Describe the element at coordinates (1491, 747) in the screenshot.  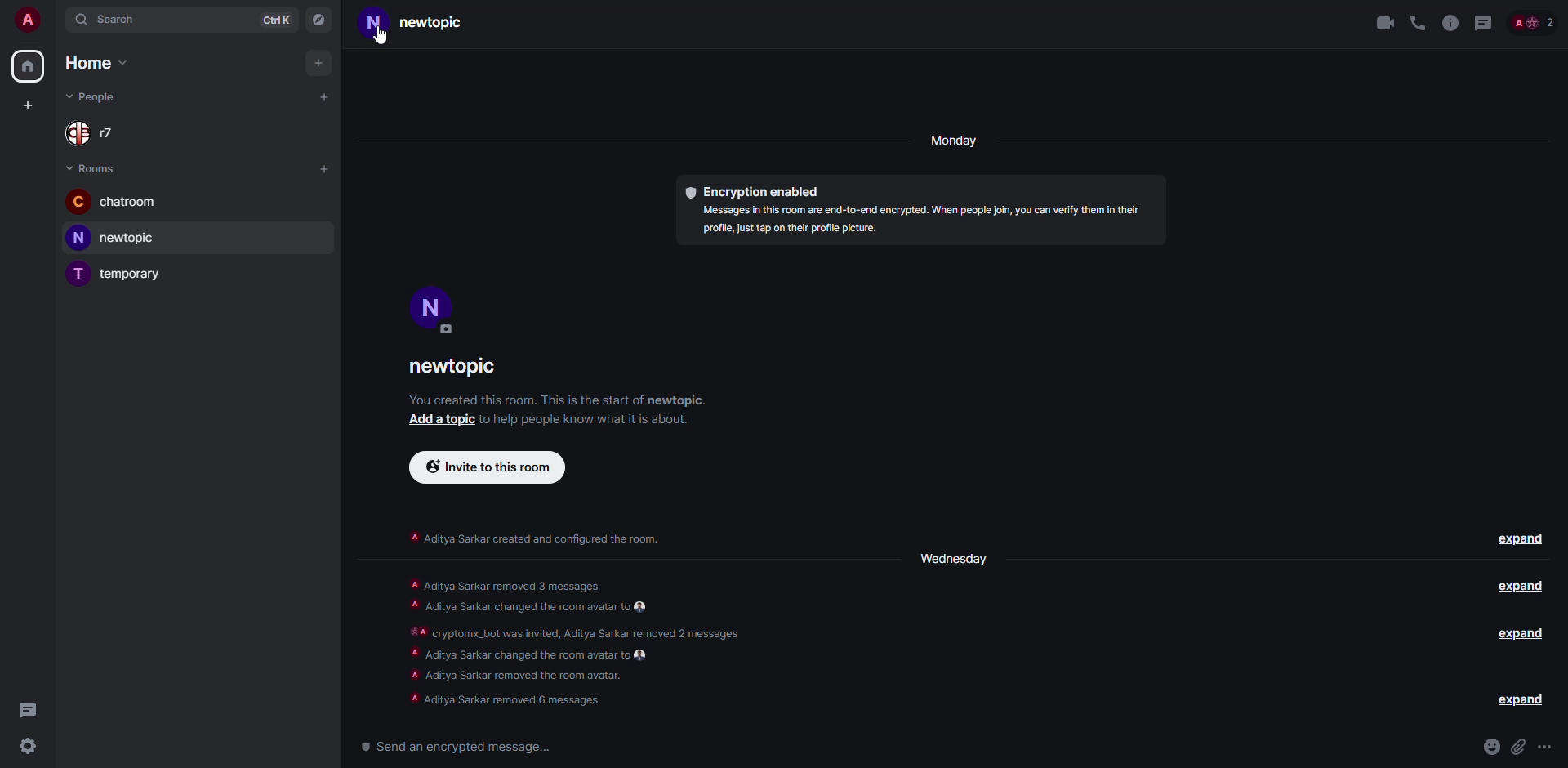
I see `emoji` at that location.